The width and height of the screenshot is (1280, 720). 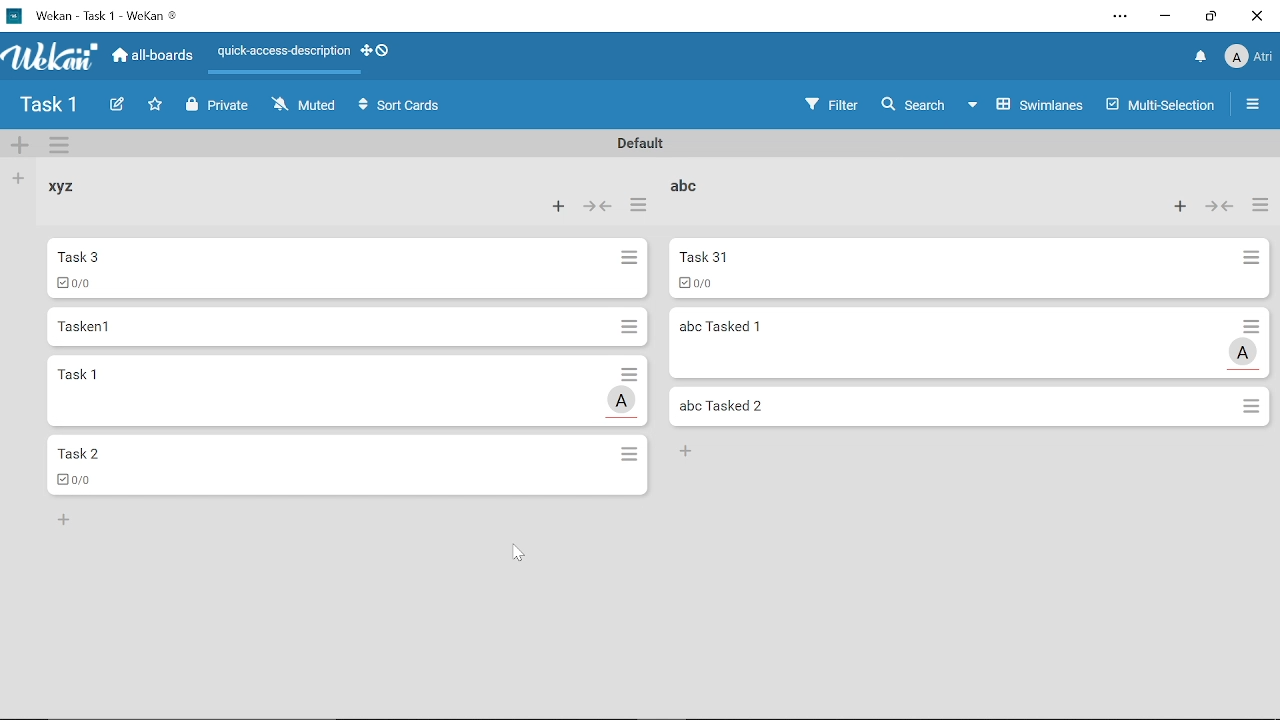 What do you see at coordinates (912, 105) in the screenshot?
I see `Search` at bounding box center [912, 105].